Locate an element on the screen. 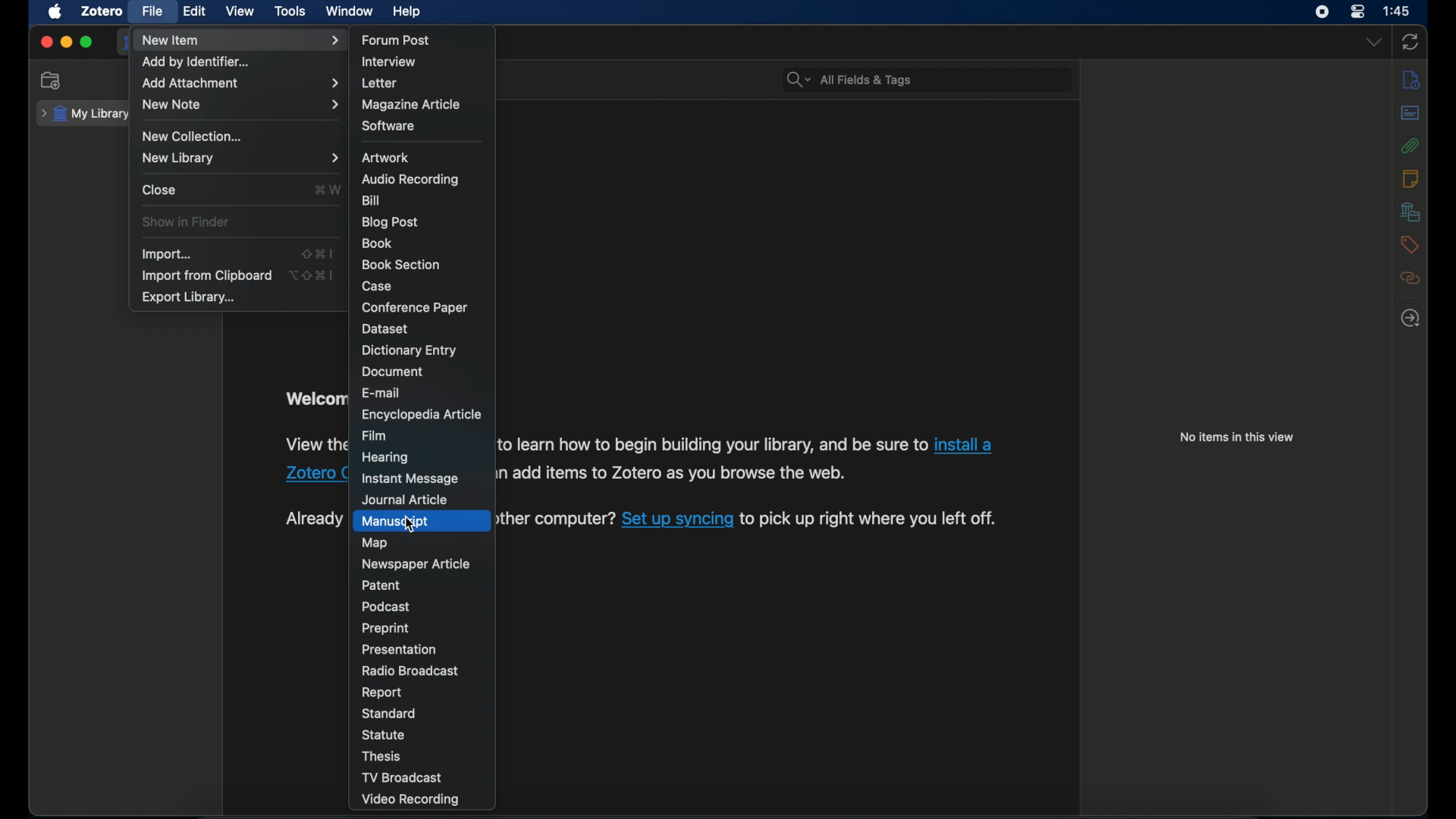 The width and height of the screenshot is (1456, 819). apple is located at coordinates (54, 11).